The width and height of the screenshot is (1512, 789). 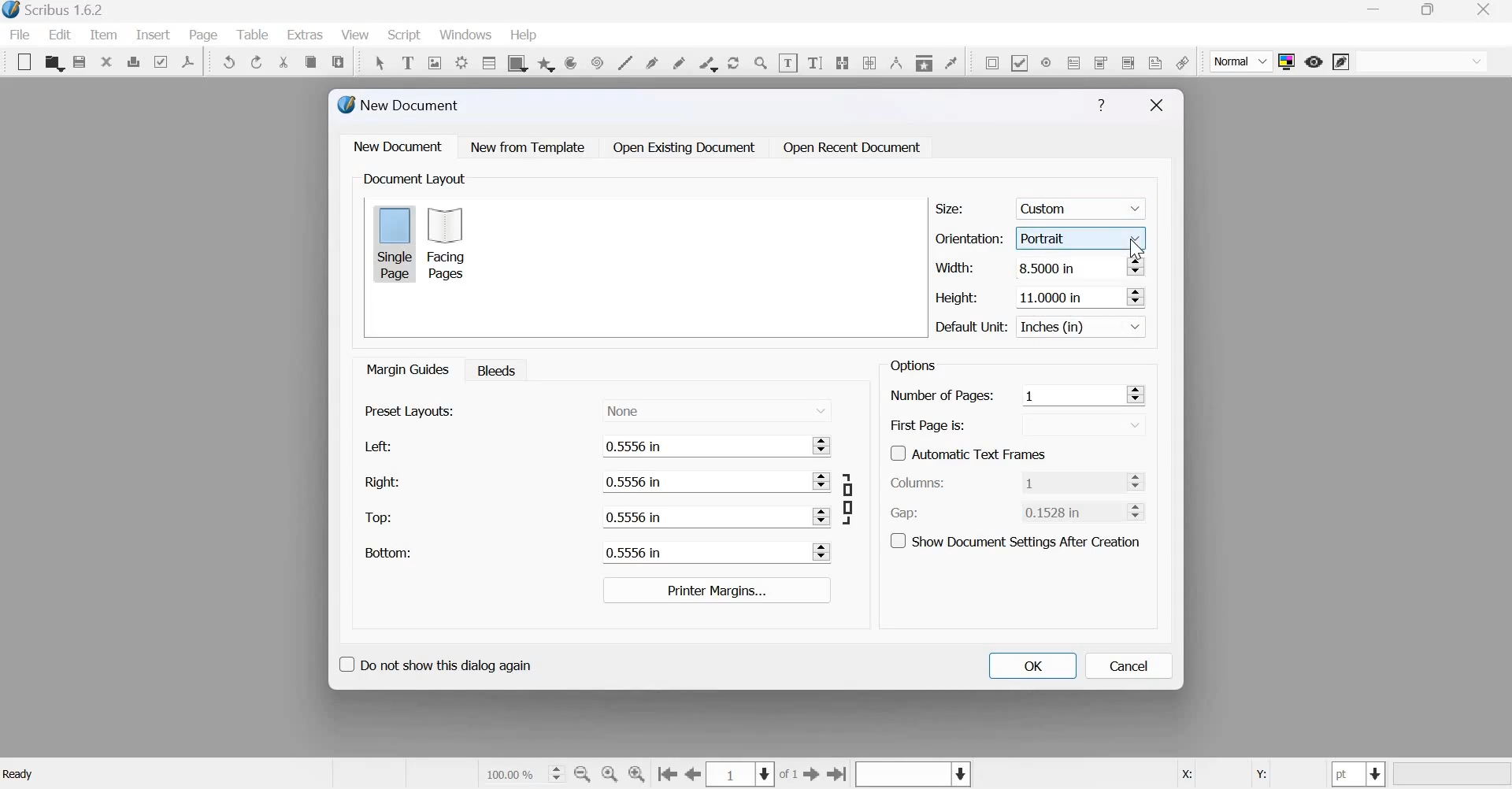 I want to click on Options, so click(x=910, y=365).